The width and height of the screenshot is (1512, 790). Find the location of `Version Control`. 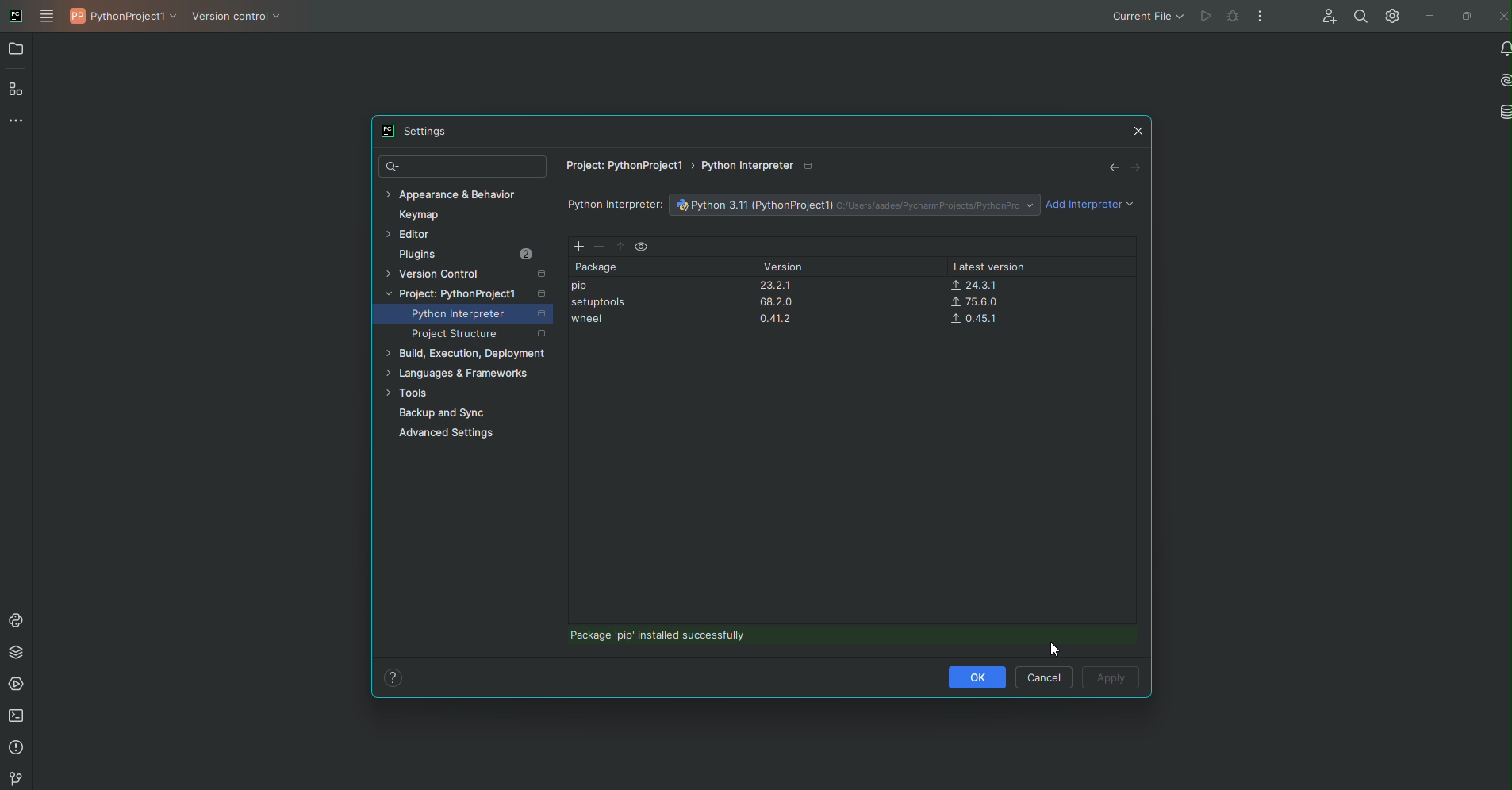

Version Control is located at coordinates (14, 777).